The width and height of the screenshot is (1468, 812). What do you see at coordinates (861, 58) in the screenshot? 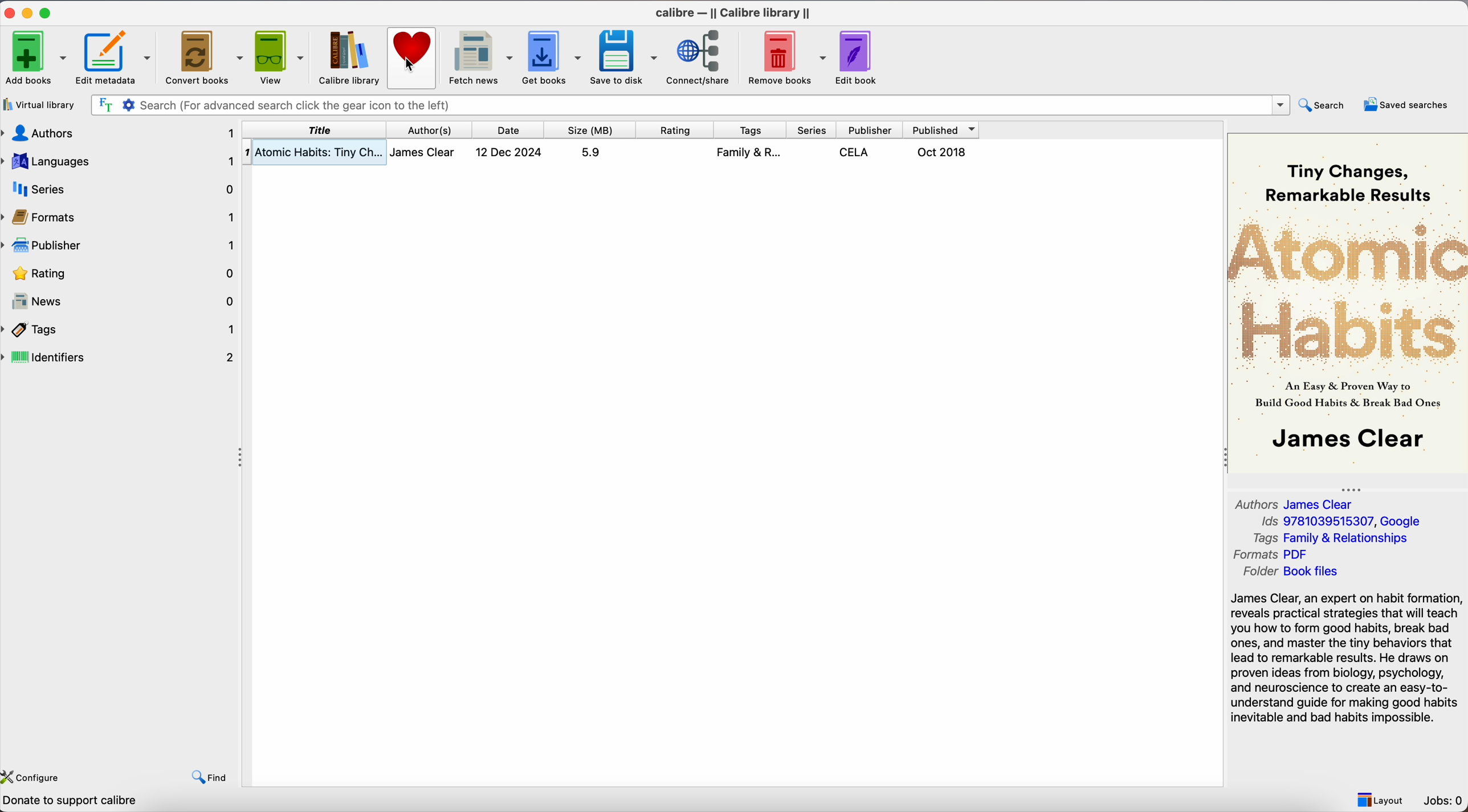
I see `edit book` at bounding box center [861, 58].